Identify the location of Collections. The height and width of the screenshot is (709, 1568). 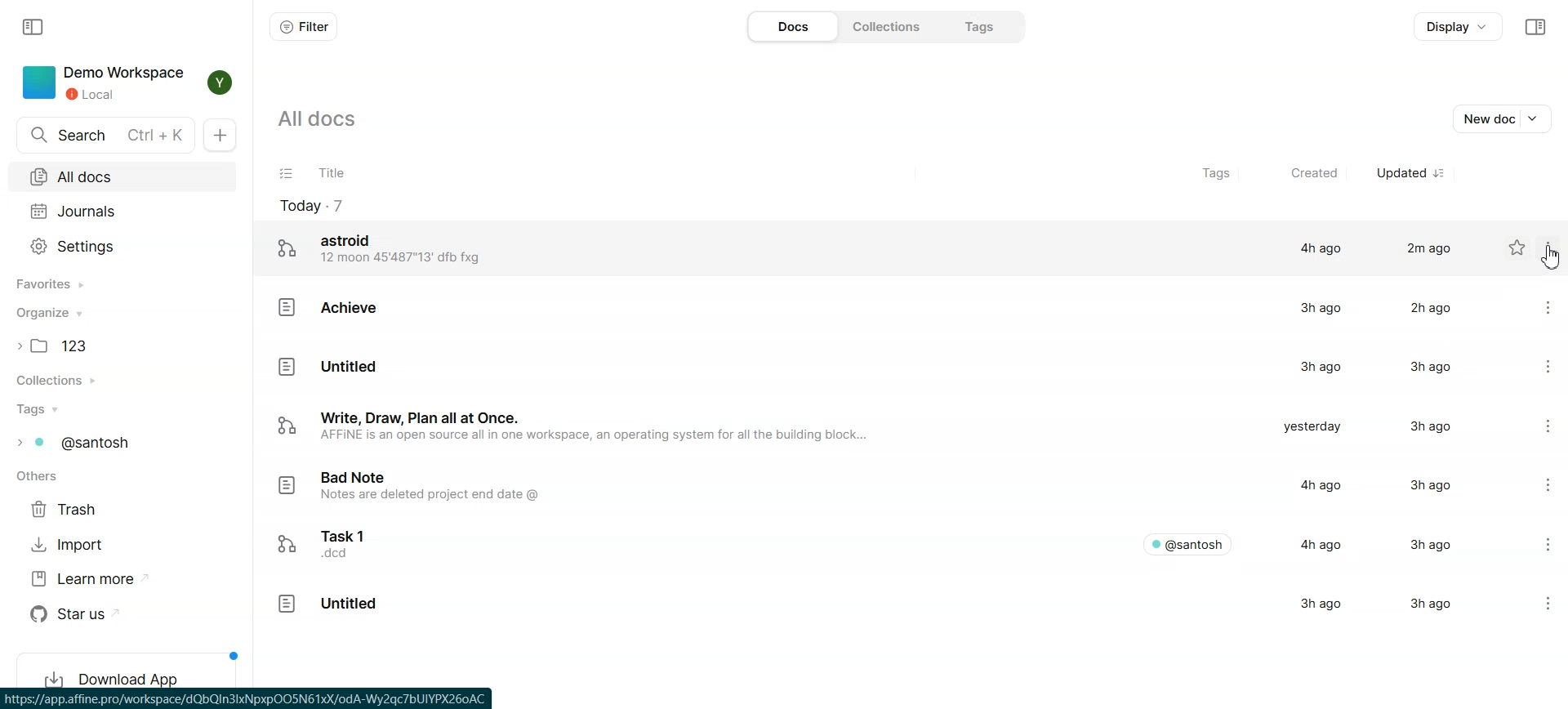
(888, 27).